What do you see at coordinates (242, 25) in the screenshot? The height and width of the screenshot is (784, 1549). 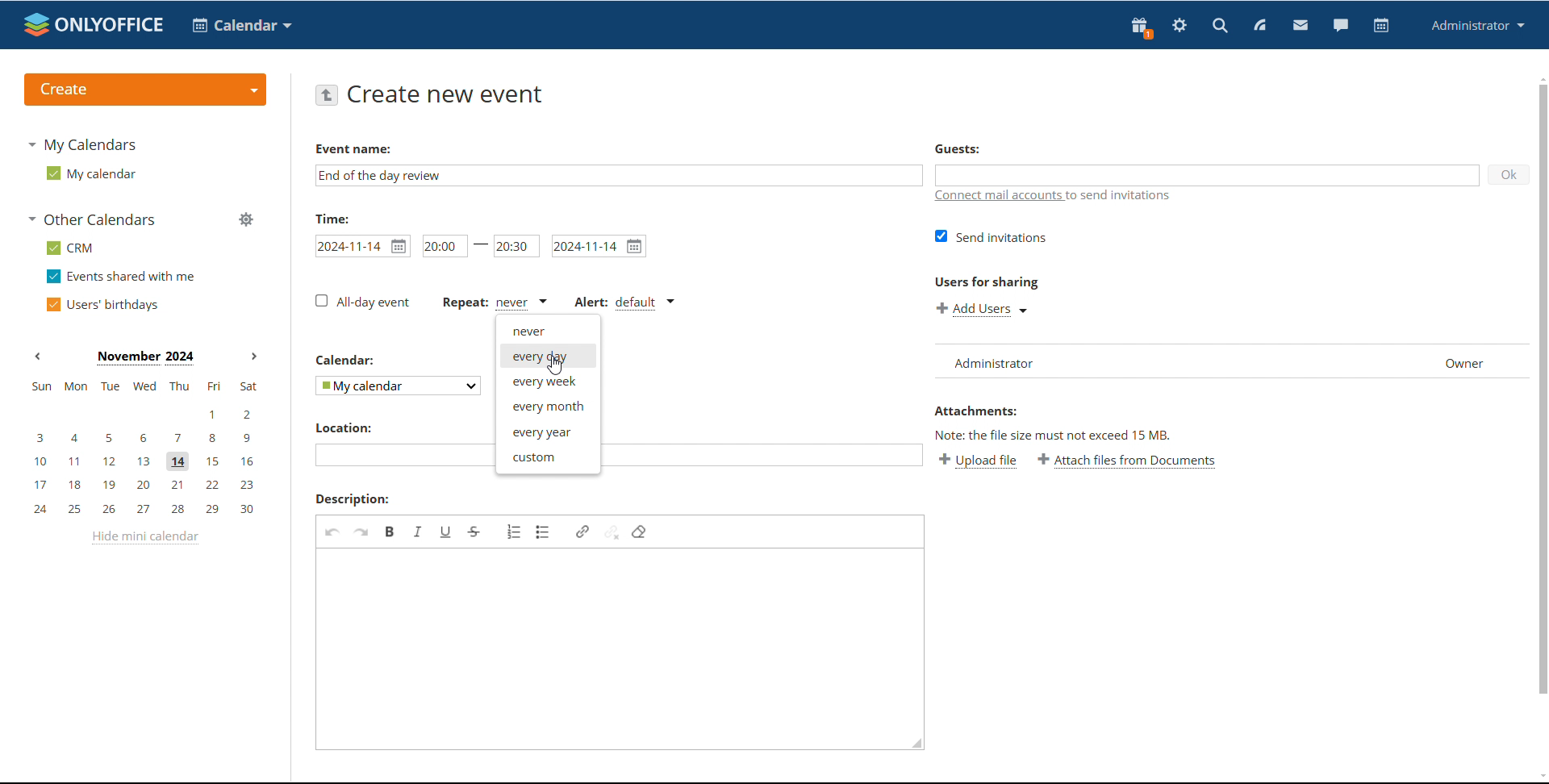 I see `calendar` at bounding box center [242, 25].